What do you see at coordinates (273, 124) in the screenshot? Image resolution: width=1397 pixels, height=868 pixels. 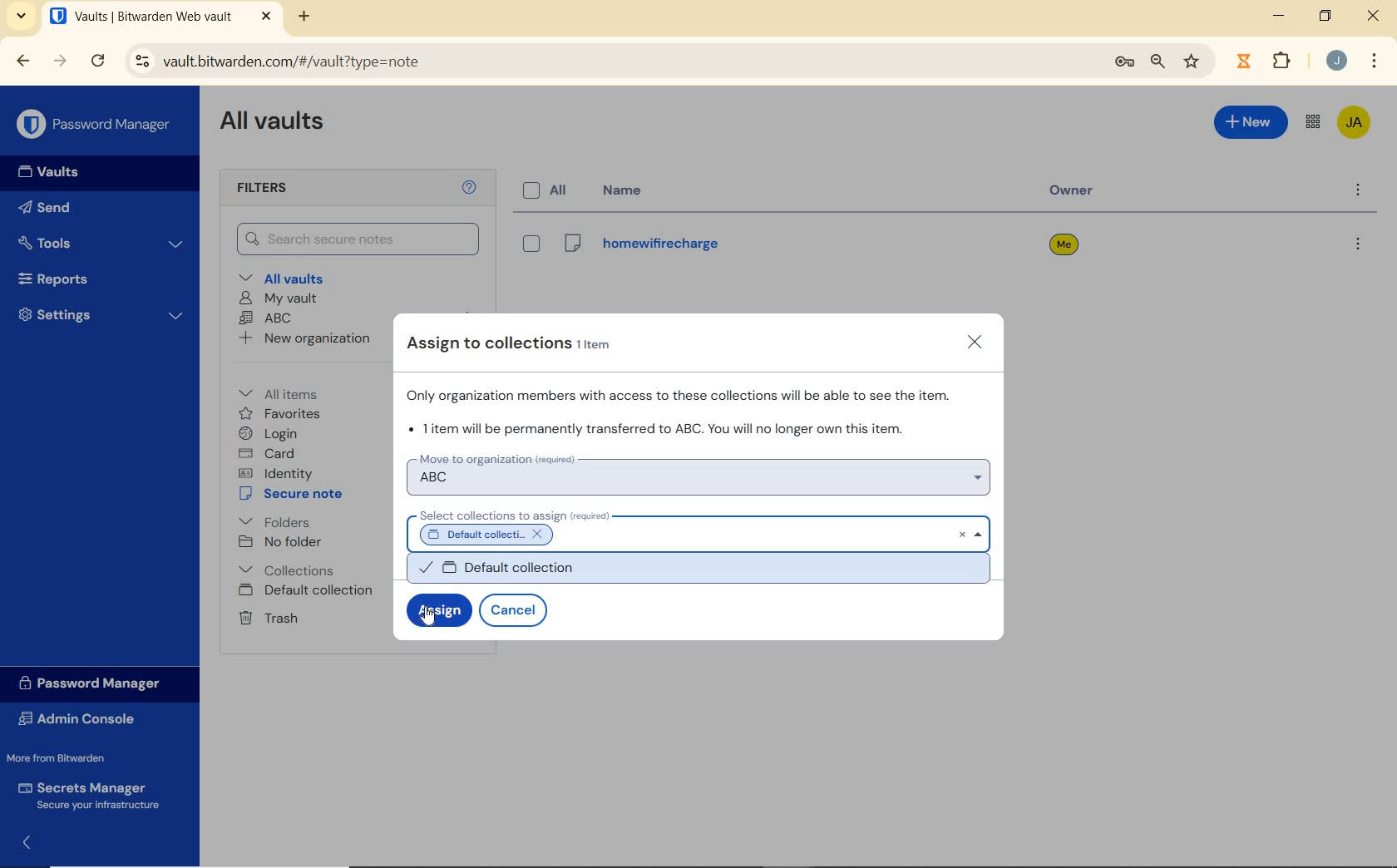 I see `All Vaults` at bounding box center [273, 124].